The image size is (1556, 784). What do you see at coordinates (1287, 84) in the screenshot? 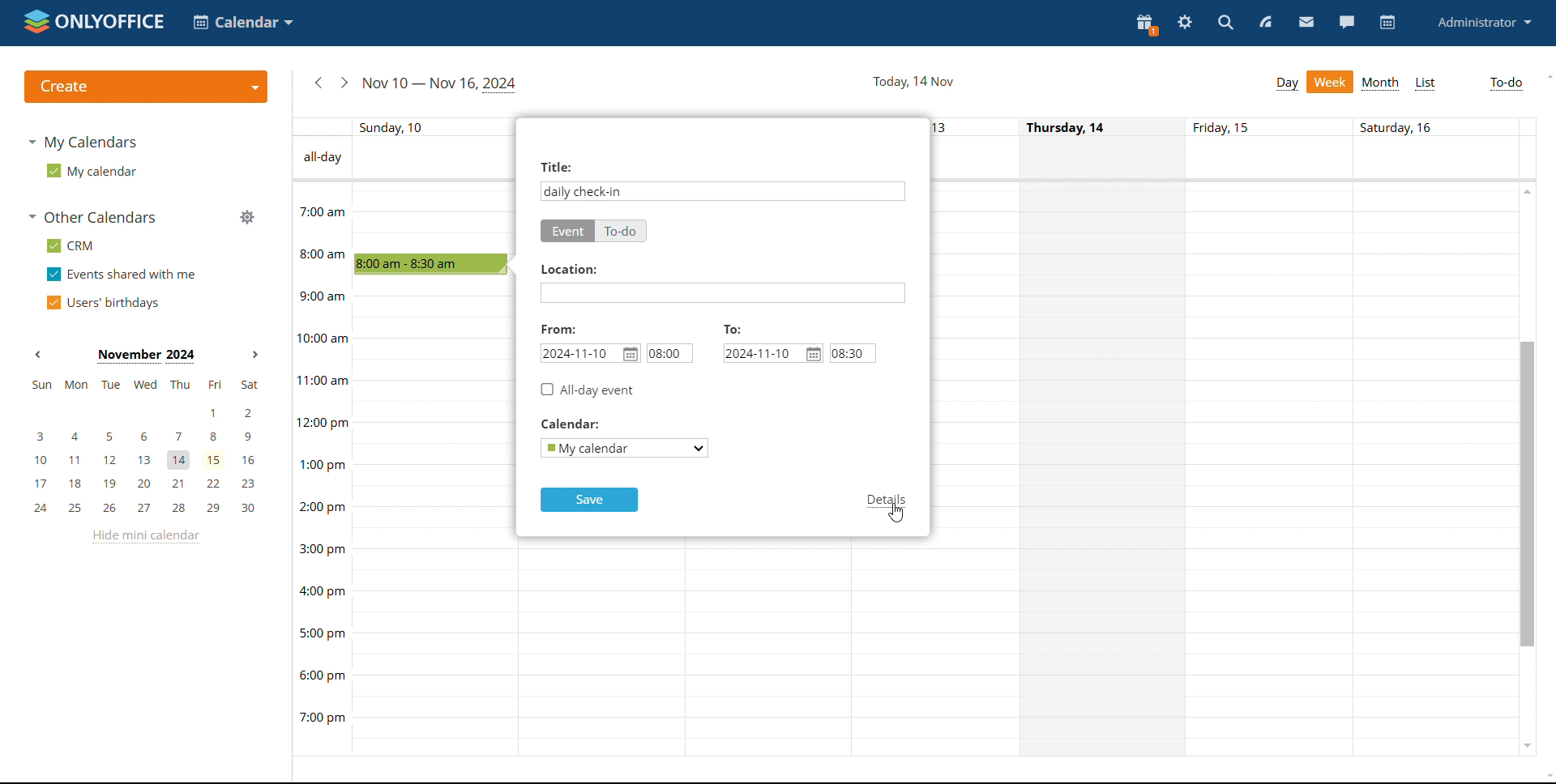
I see `day view` at bounding box center [1287, 84].